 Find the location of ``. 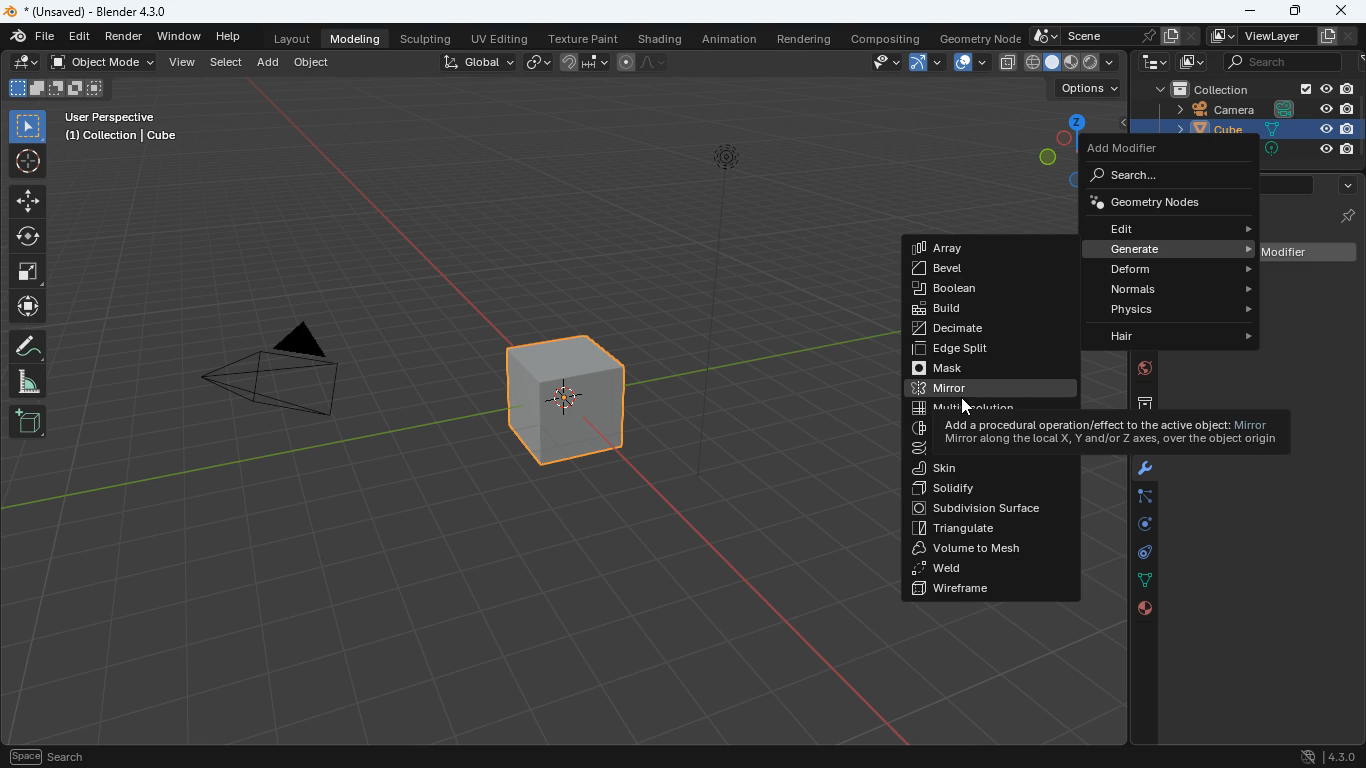

 is located at coordinates (919, 428).